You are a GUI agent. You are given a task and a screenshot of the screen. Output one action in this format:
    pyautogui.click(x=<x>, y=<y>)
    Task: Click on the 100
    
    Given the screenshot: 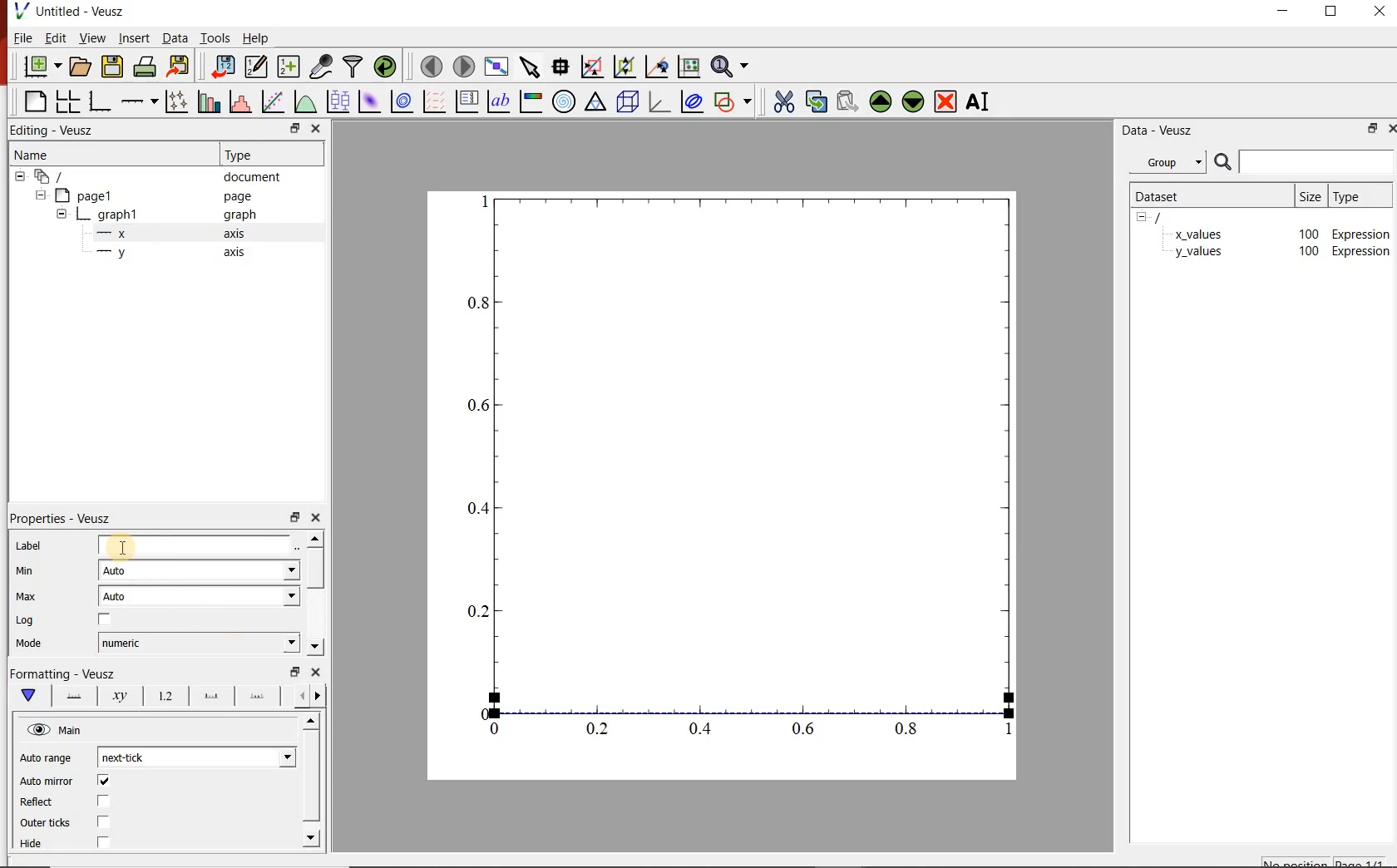 What is the action you would take?
    pyautogui.click(x=1307, y=253)
    